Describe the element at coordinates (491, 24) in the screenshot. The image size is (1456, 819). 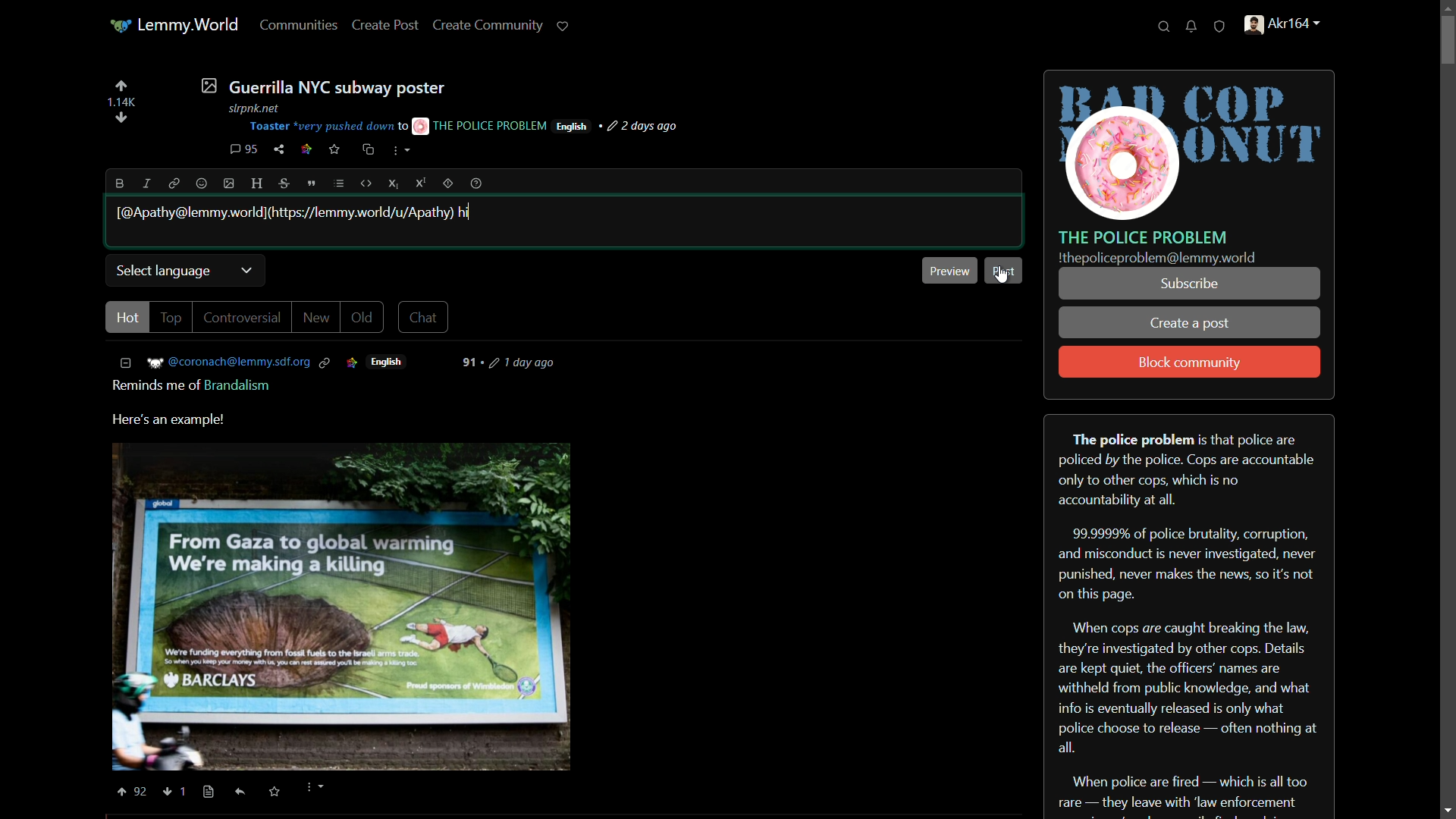
I see `create community ` at that location.